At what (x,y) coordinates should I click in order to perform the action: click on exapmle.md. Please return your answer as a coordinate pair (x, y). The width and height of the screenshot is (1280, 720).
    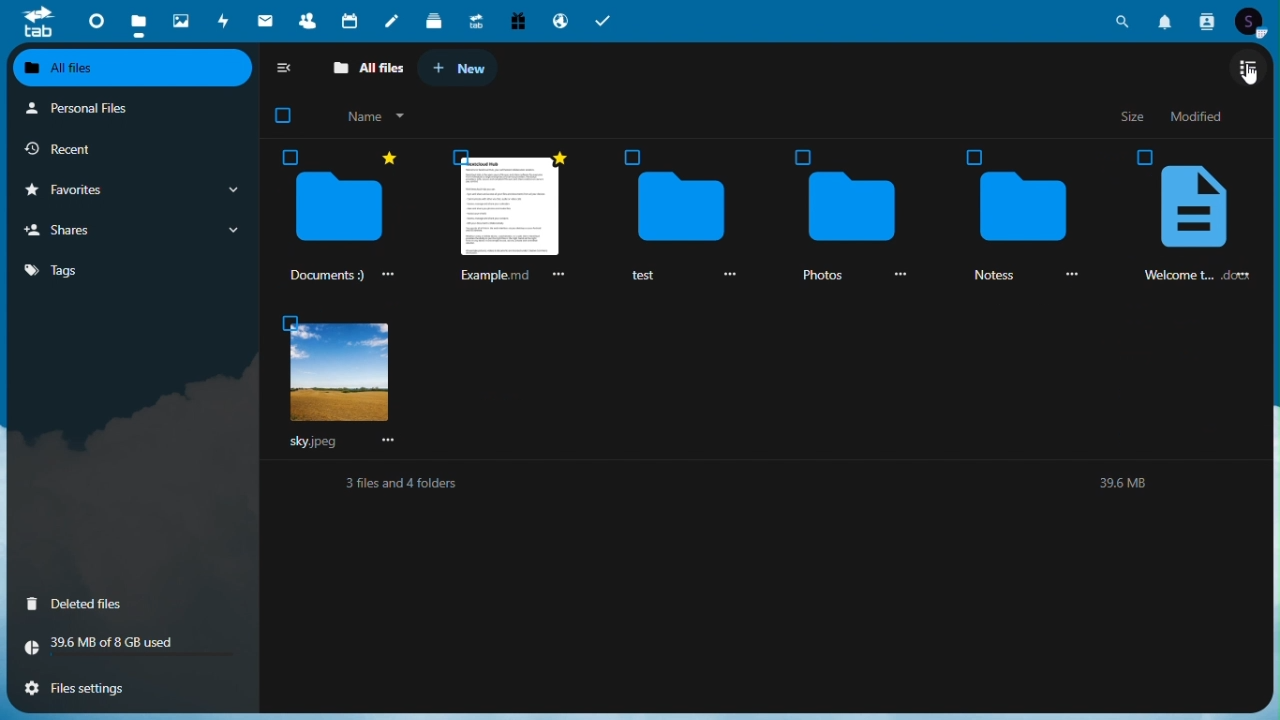
    Looking at the image, I should click on (492, 275).